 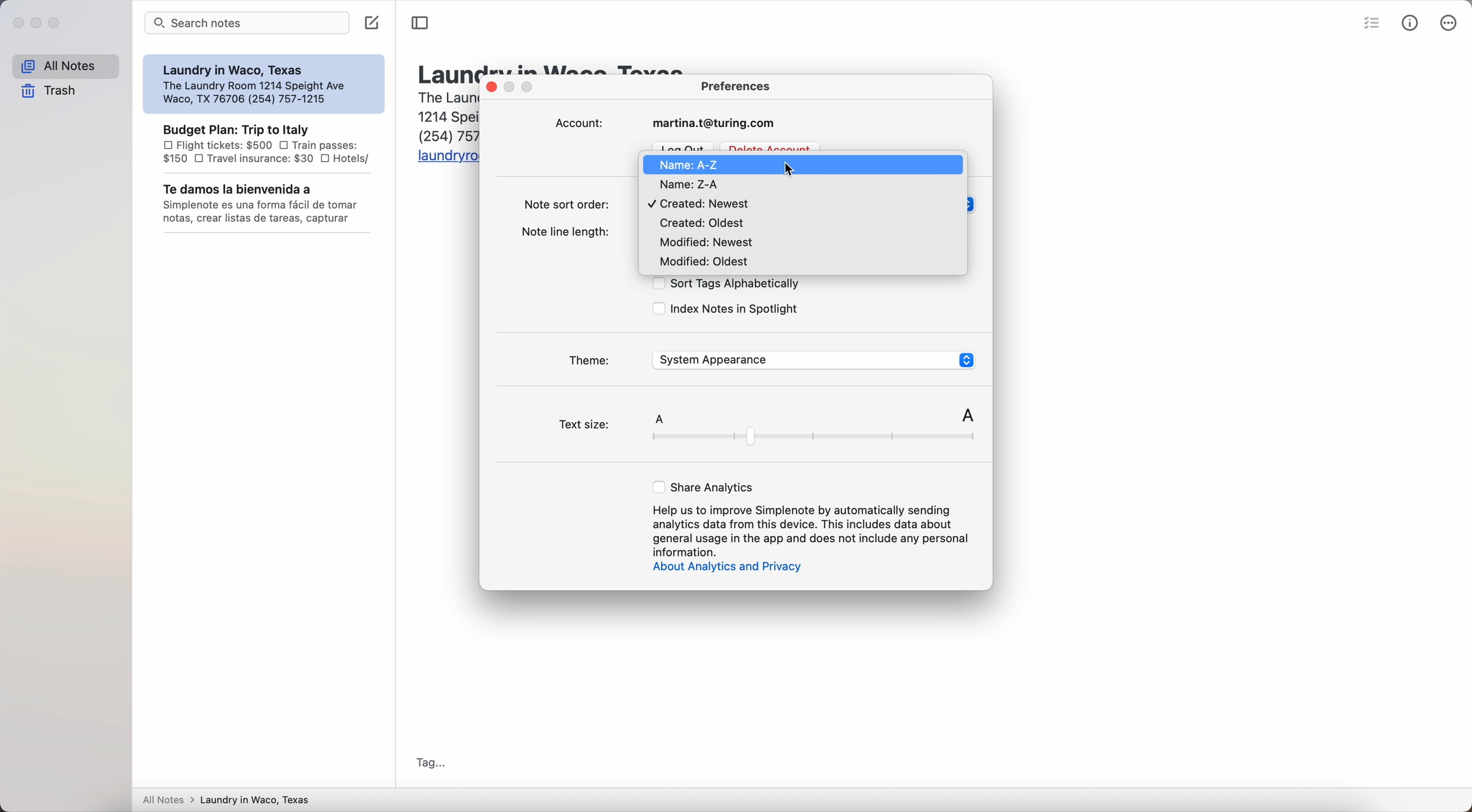 I want to click on close Simplenote, so click(x=18, y=24).